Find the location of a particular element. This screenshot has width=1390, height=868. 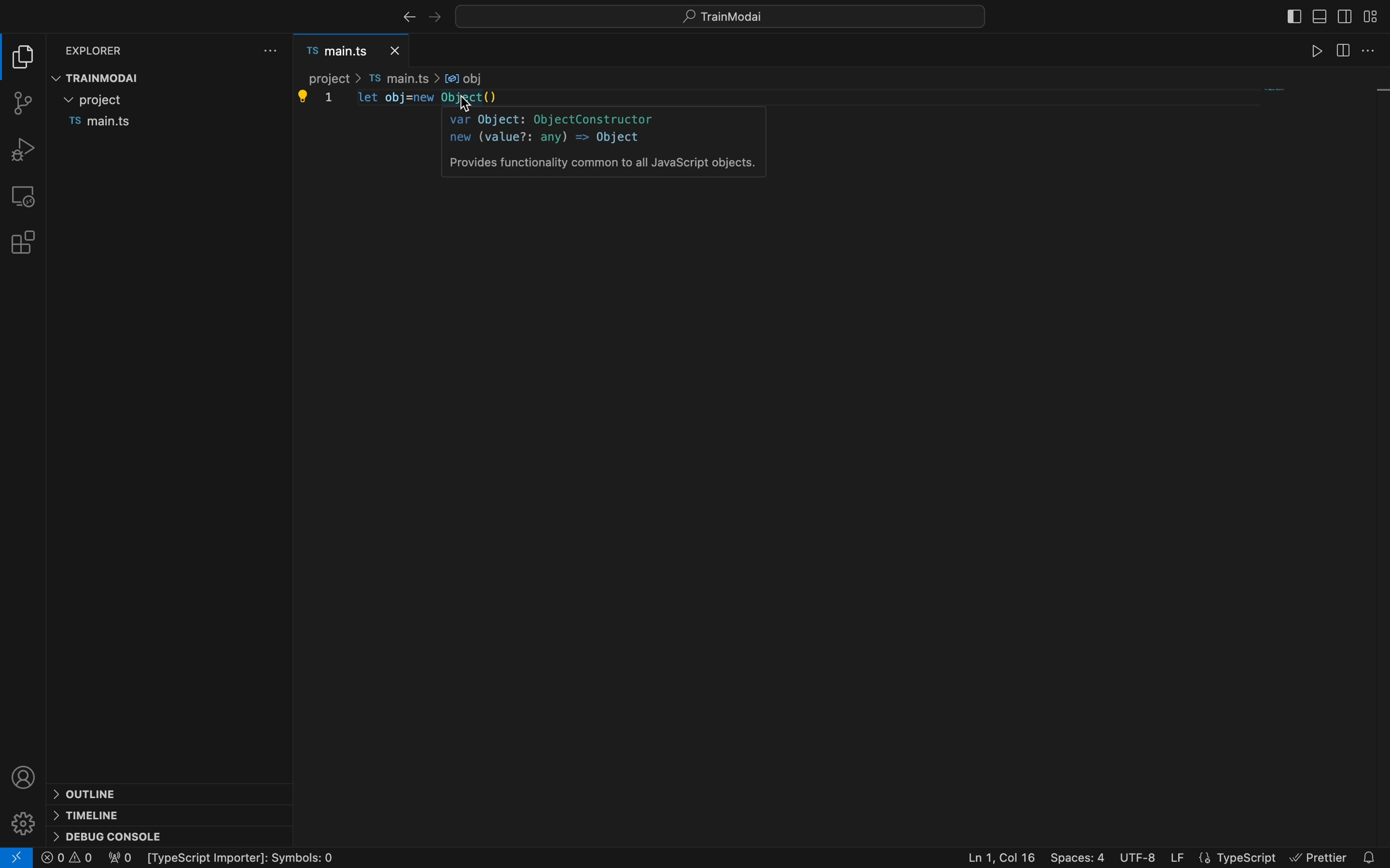

LF is located at coordinates (1179, 854).